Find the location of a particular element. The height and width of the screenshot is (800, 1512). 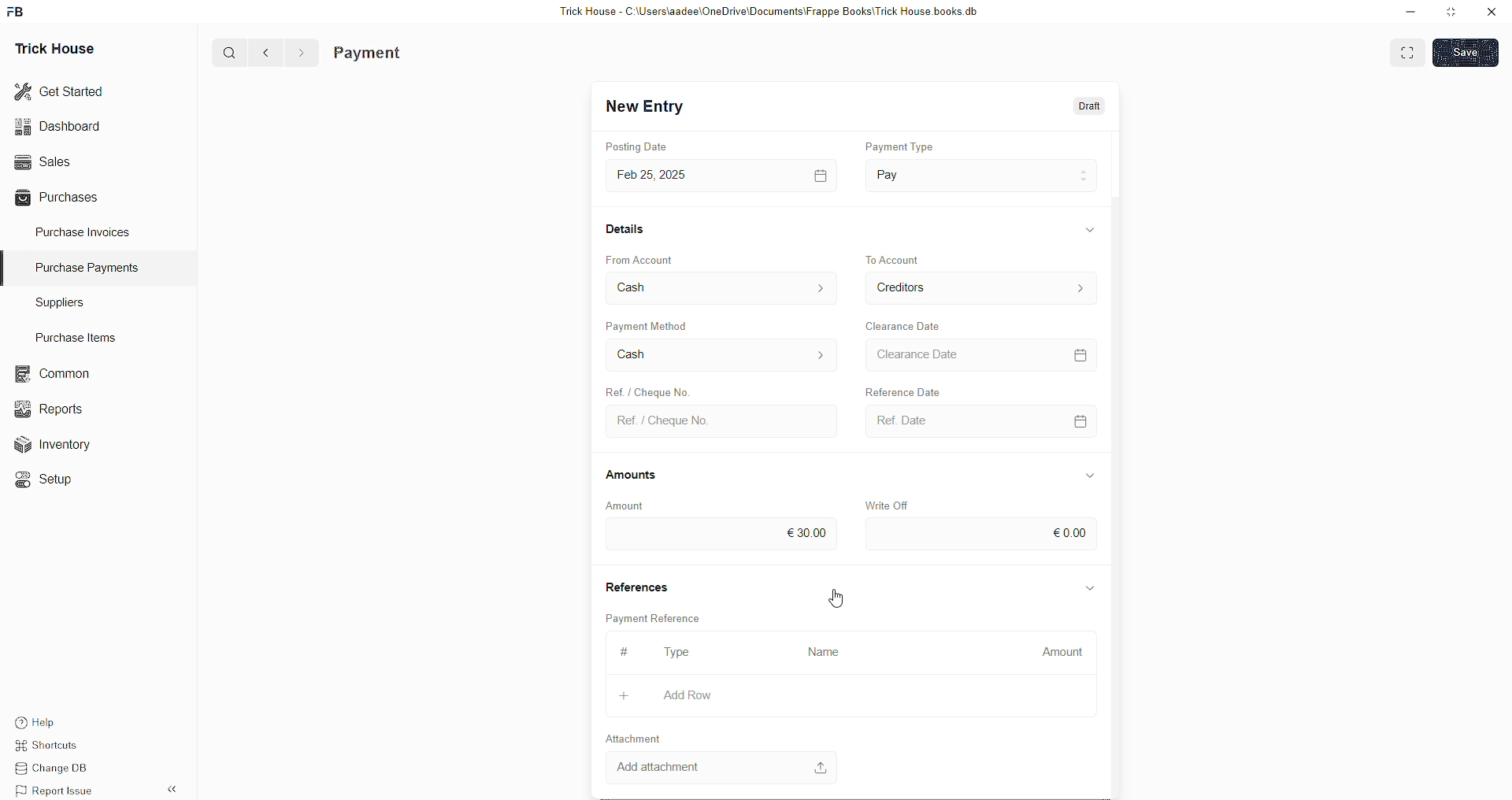

Posting Date is located at coordinates (630, 146).